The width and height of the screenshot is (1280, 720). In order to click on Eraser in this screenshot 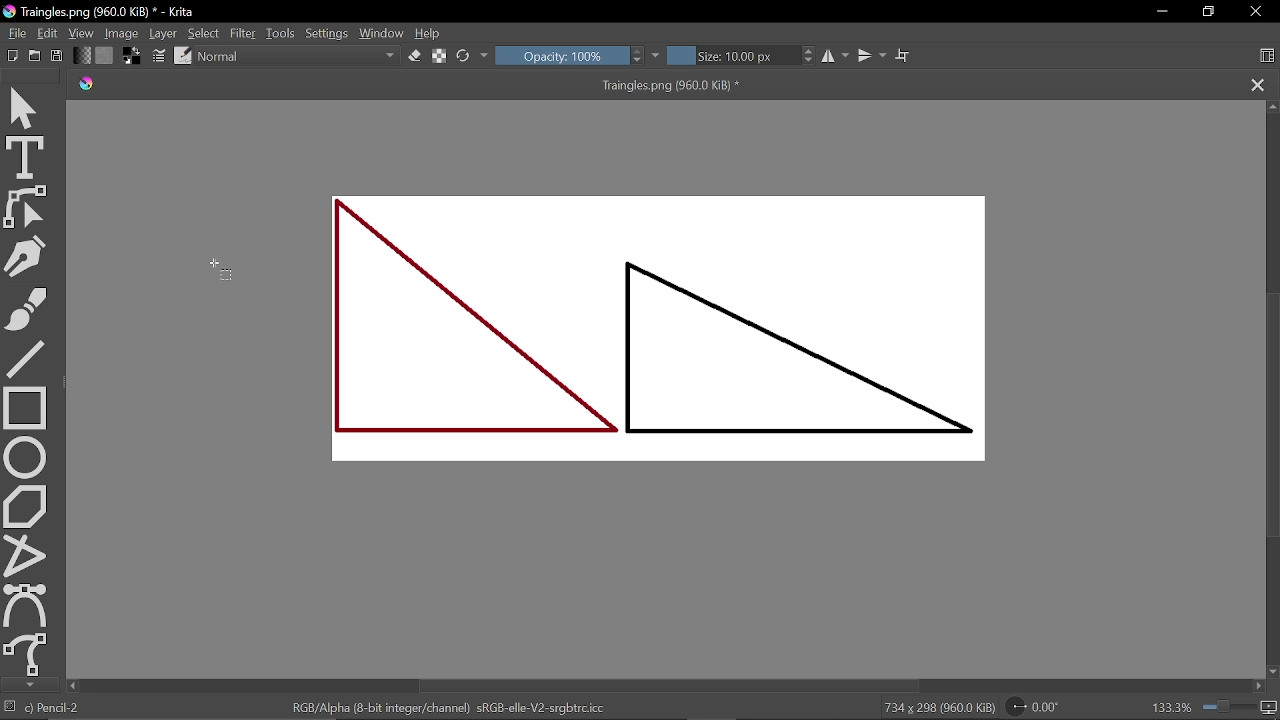, I will do `click(415, 56)`.